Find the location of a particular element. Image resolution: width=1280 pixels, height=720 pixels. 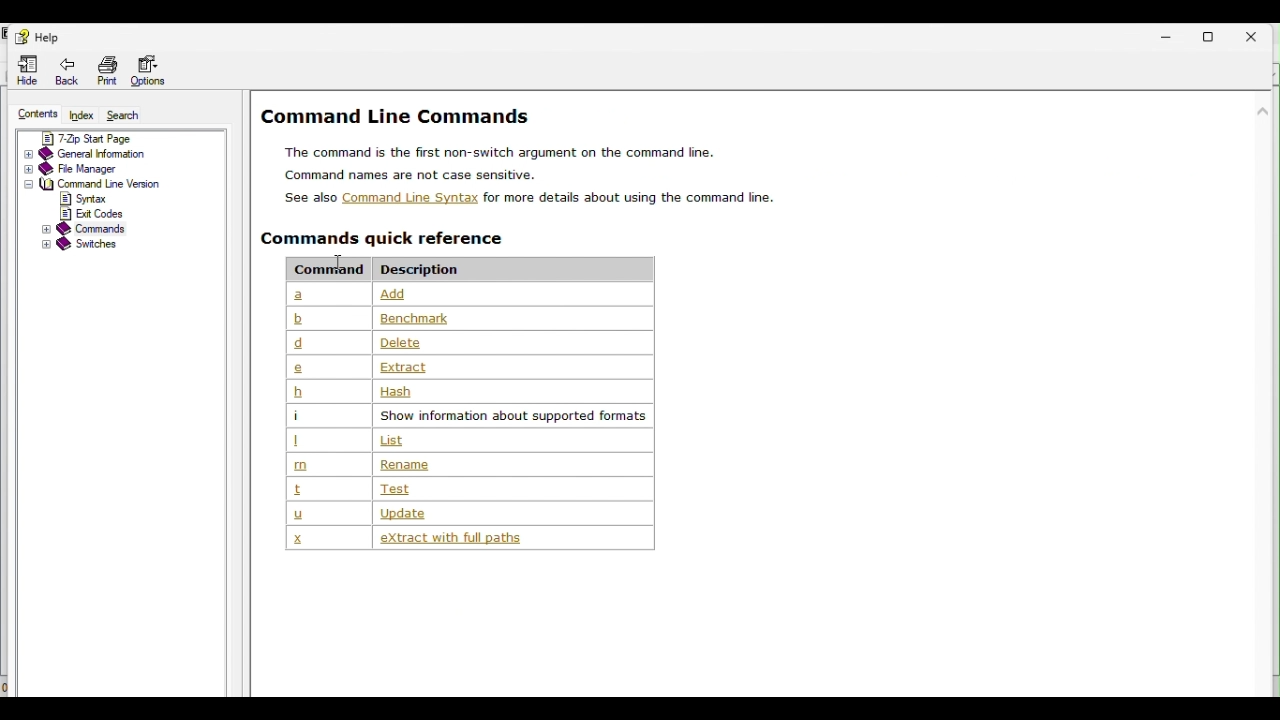

description is located at coordinates (404, 342).